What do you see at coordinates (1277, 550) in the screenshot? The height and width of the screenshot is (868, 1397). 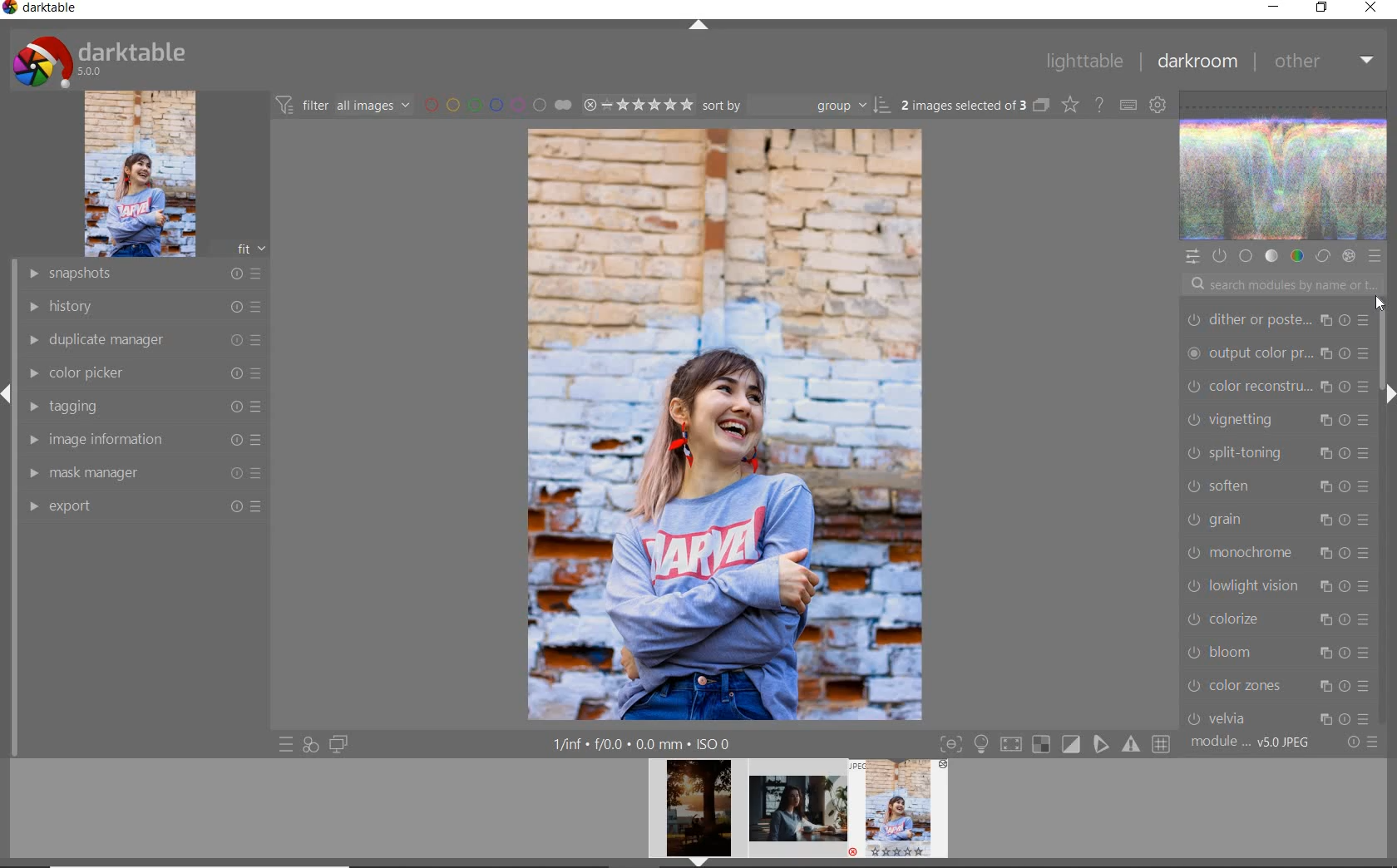 I see `enlarge canvas` at bounding box center [1277, 550].